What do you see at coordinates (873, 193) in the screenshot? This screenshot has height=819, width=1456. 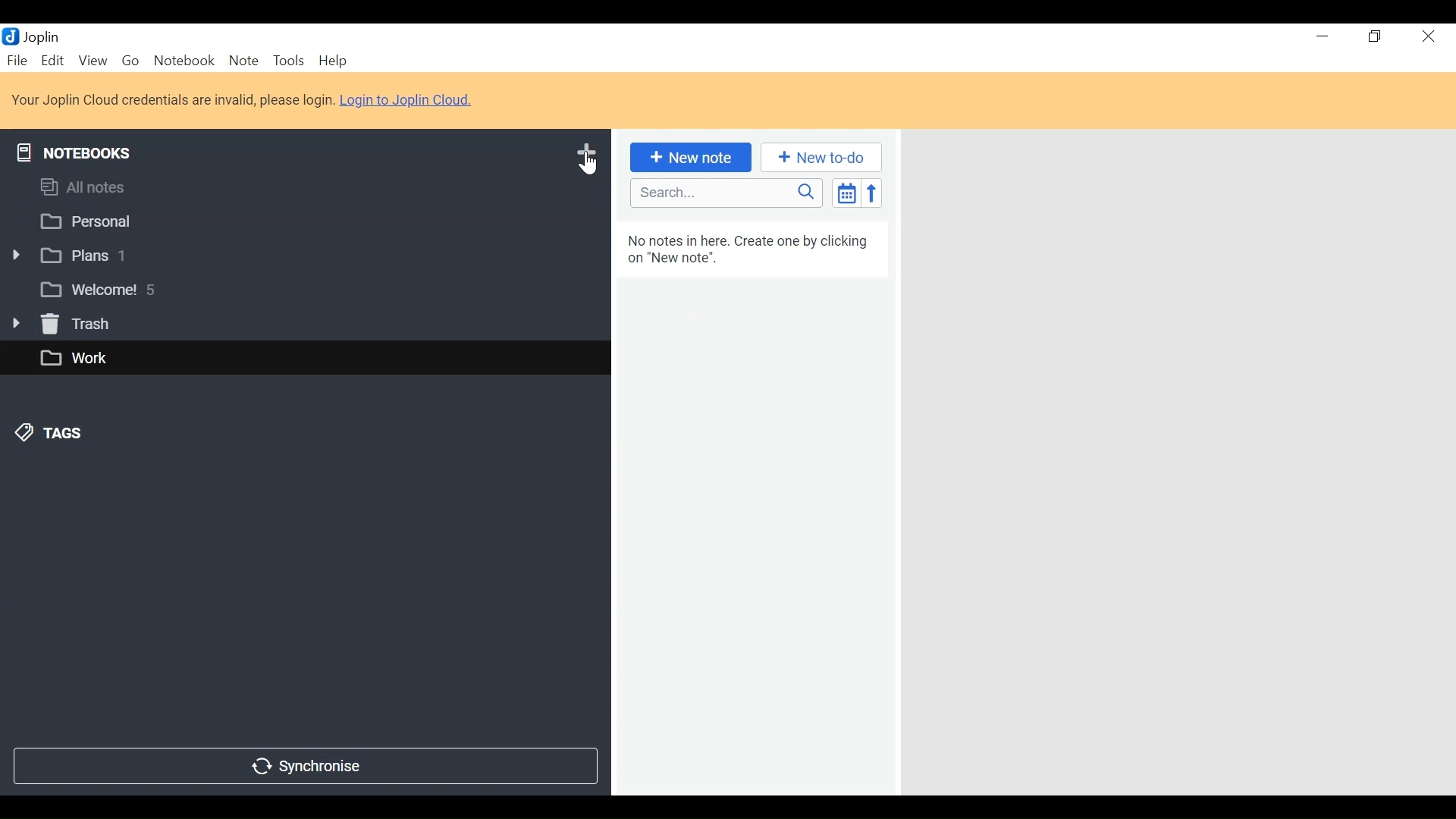 I see `Reverse Sort Order` at bounding box center [873, 193].